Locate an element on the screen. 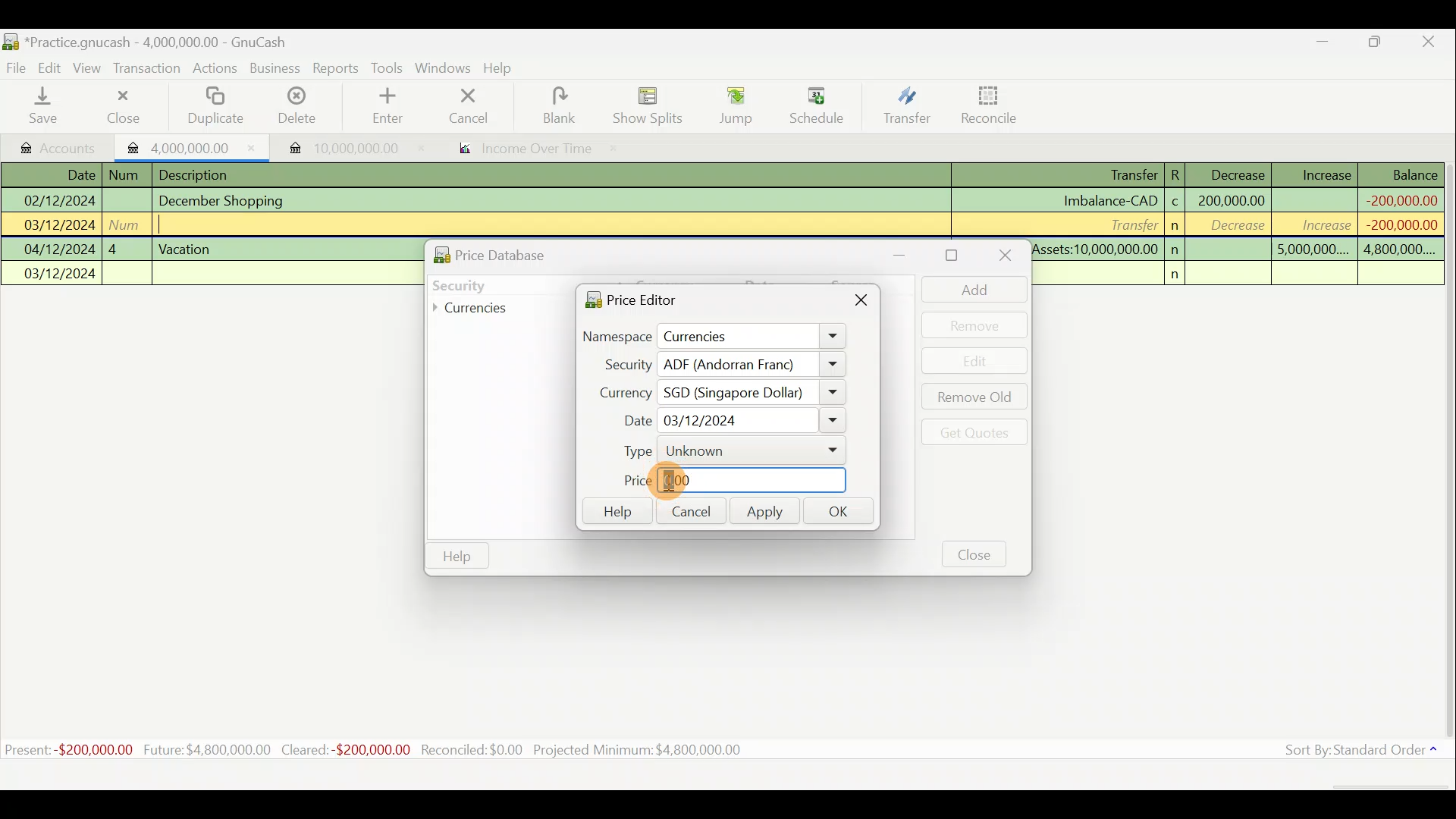 This screenshot has width=1456, height=819. Security is located at coordinates (620, 364).